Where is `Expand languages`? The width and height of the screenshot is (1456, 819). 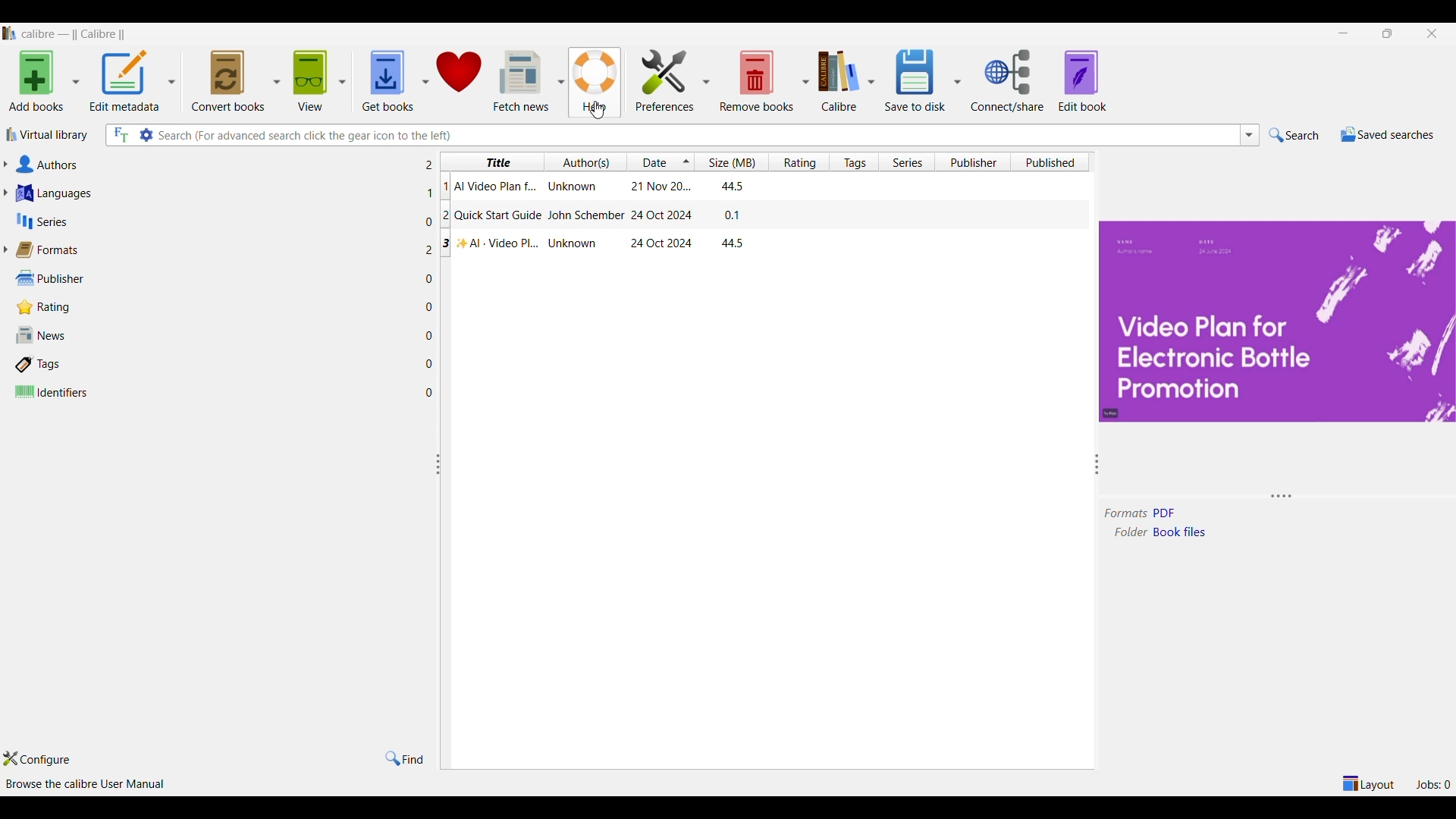 Expand languages is located at coordinates (5, 193).